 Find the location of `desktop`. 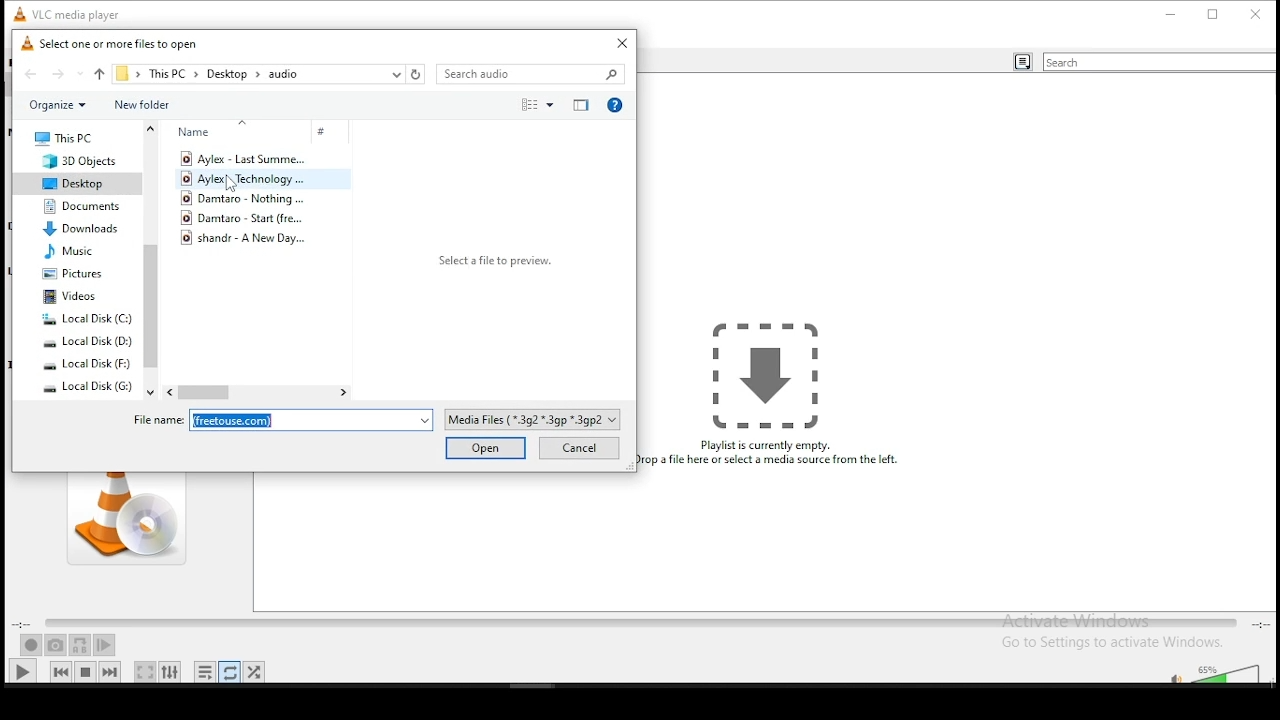

desktop is located at coordinates (72, 183).